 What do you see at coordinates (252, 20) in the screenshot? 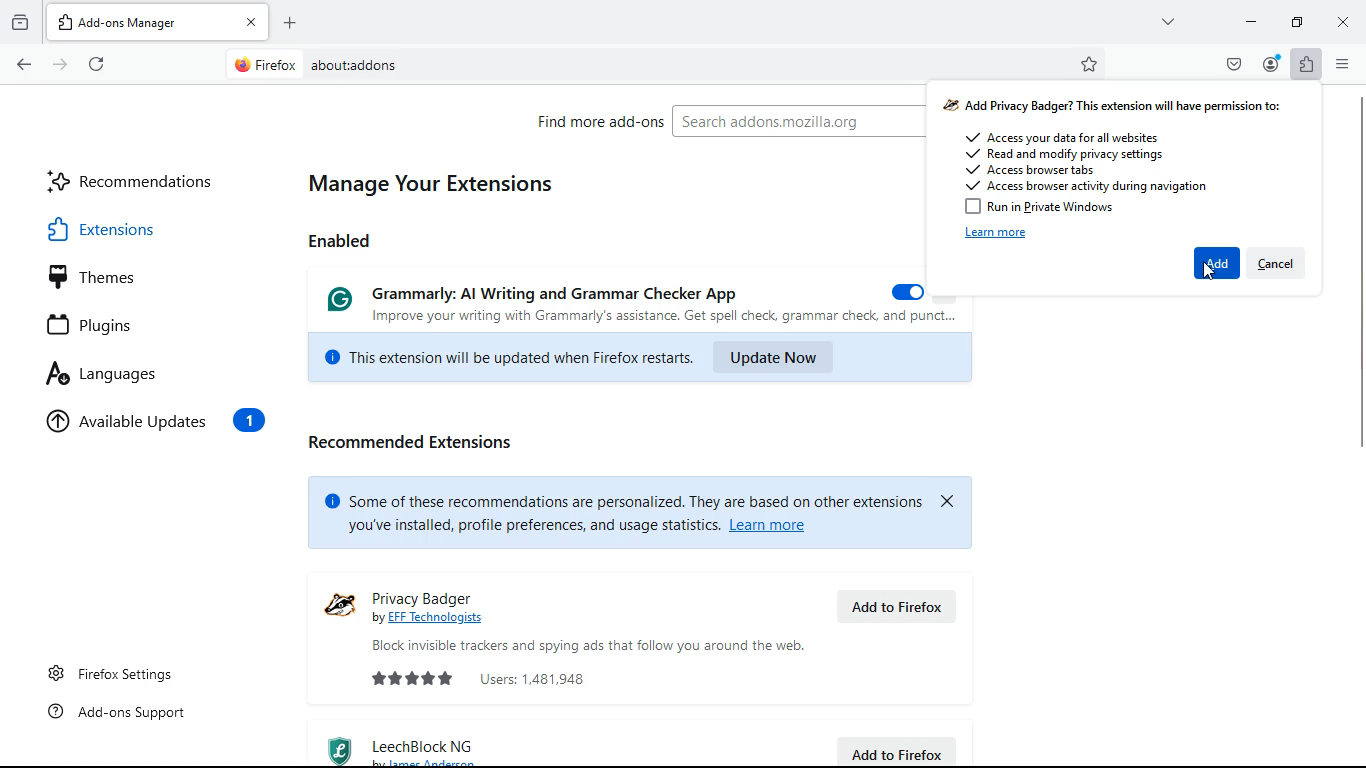
I see `close tab` at bounding box center [252, 20].